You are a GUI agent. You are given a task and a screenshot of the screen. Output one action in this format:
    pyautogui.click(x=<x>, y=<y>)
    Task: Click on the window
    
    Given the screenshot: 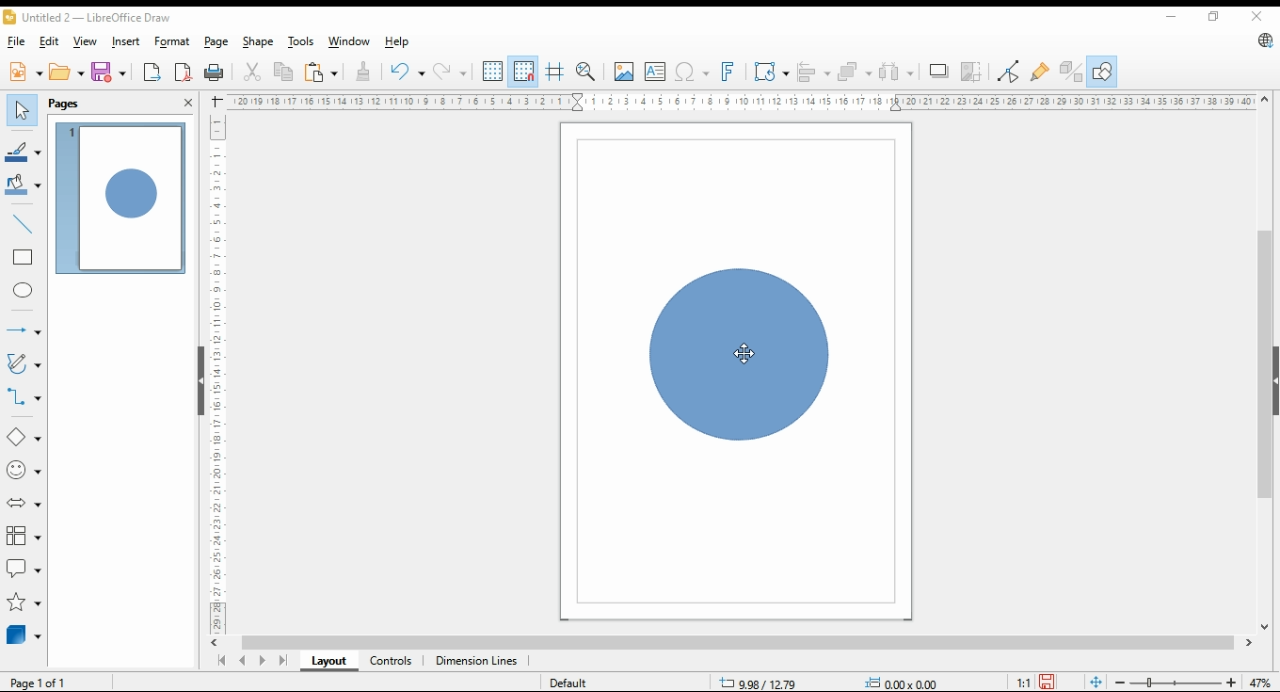 What is the action you would take?
    pyautogui.click(x=349, y=41)
    